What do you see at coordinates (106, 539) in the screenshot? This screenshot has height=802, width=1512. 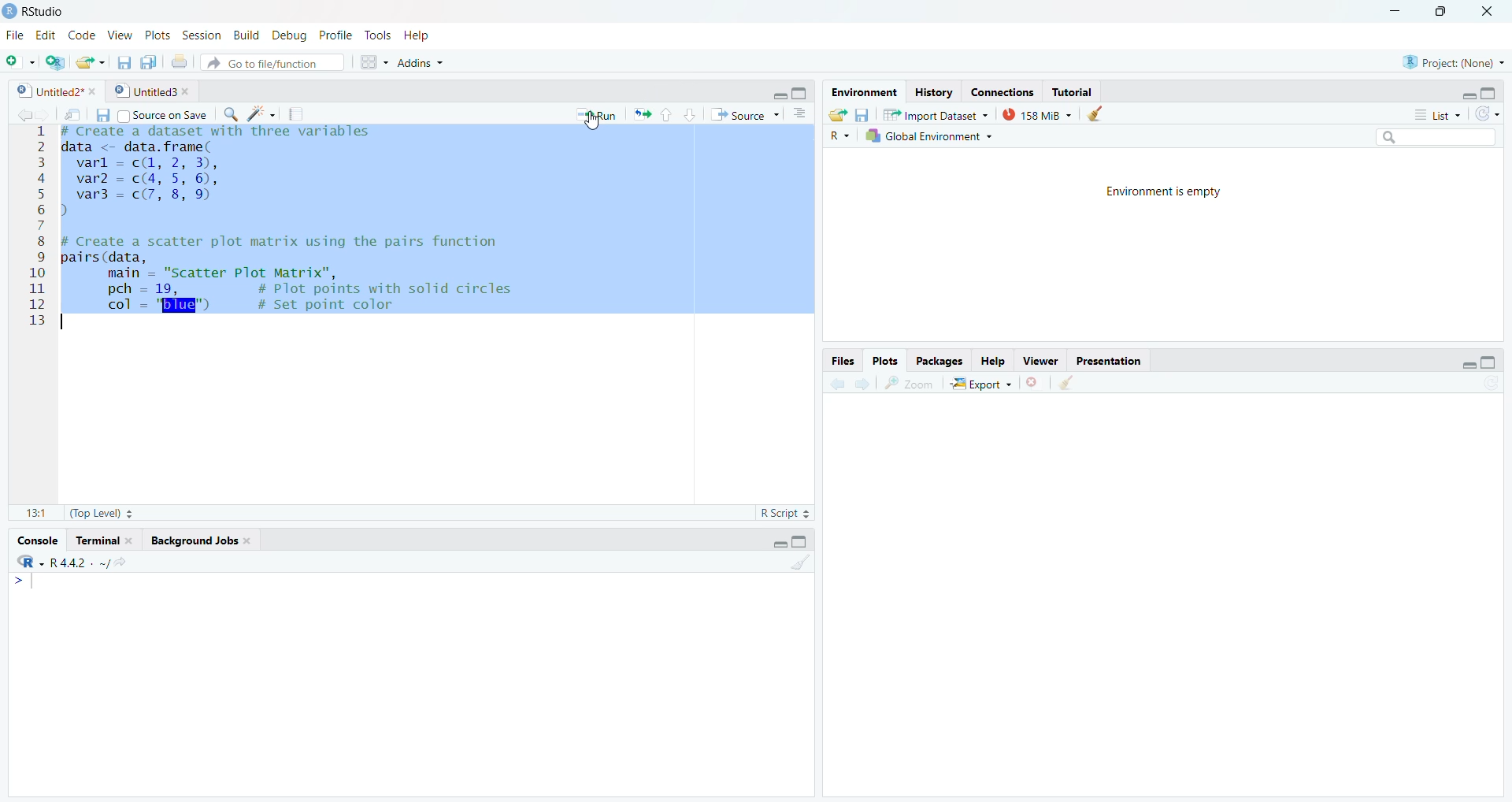 I see `Terminal` at bounding box center [106, 539].